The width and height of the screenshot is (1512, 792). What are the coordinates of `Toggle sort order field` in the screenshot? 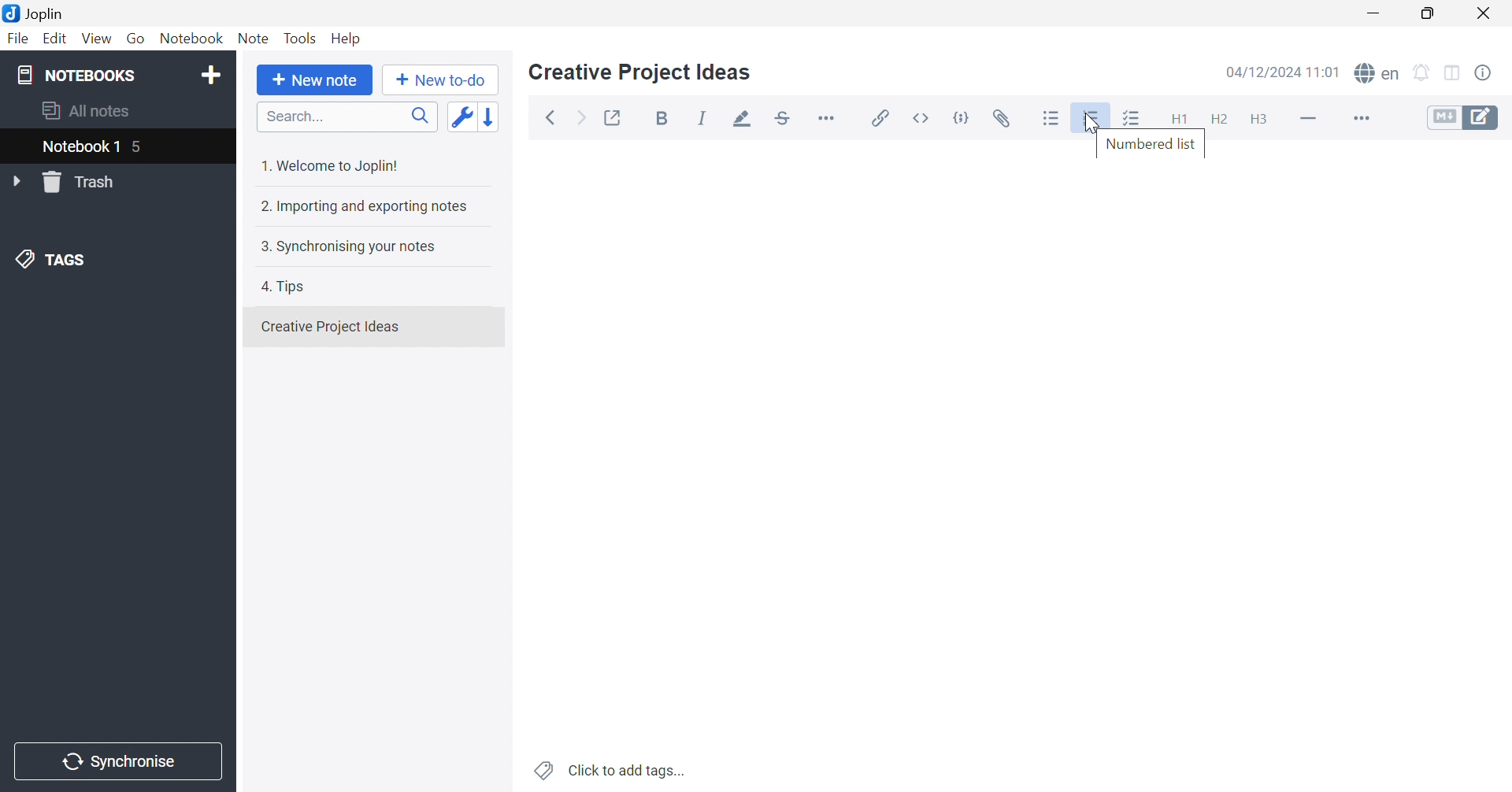 It's located at (462, 117).